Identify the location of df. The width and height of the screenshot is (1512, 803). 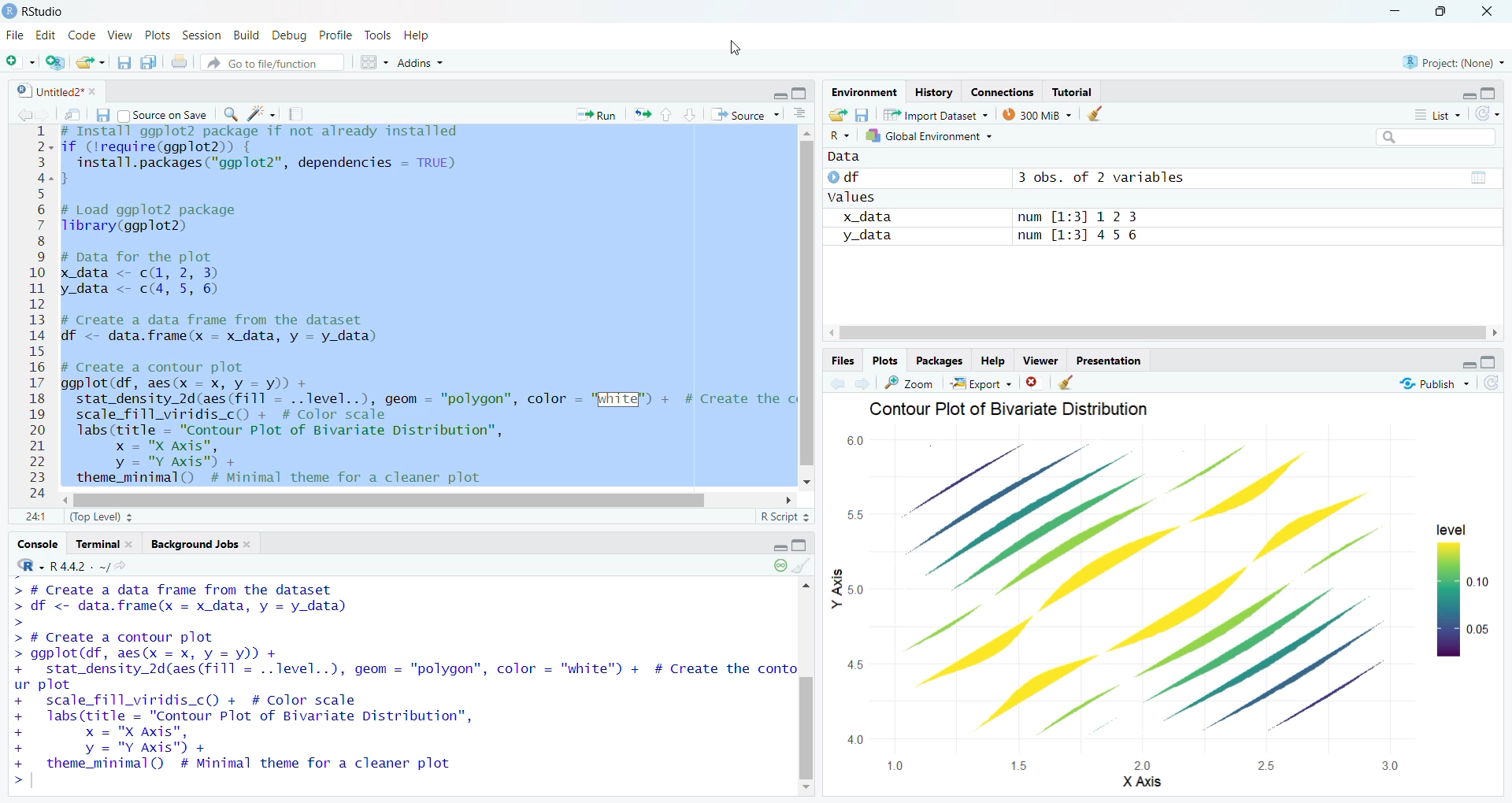
(848, 177).